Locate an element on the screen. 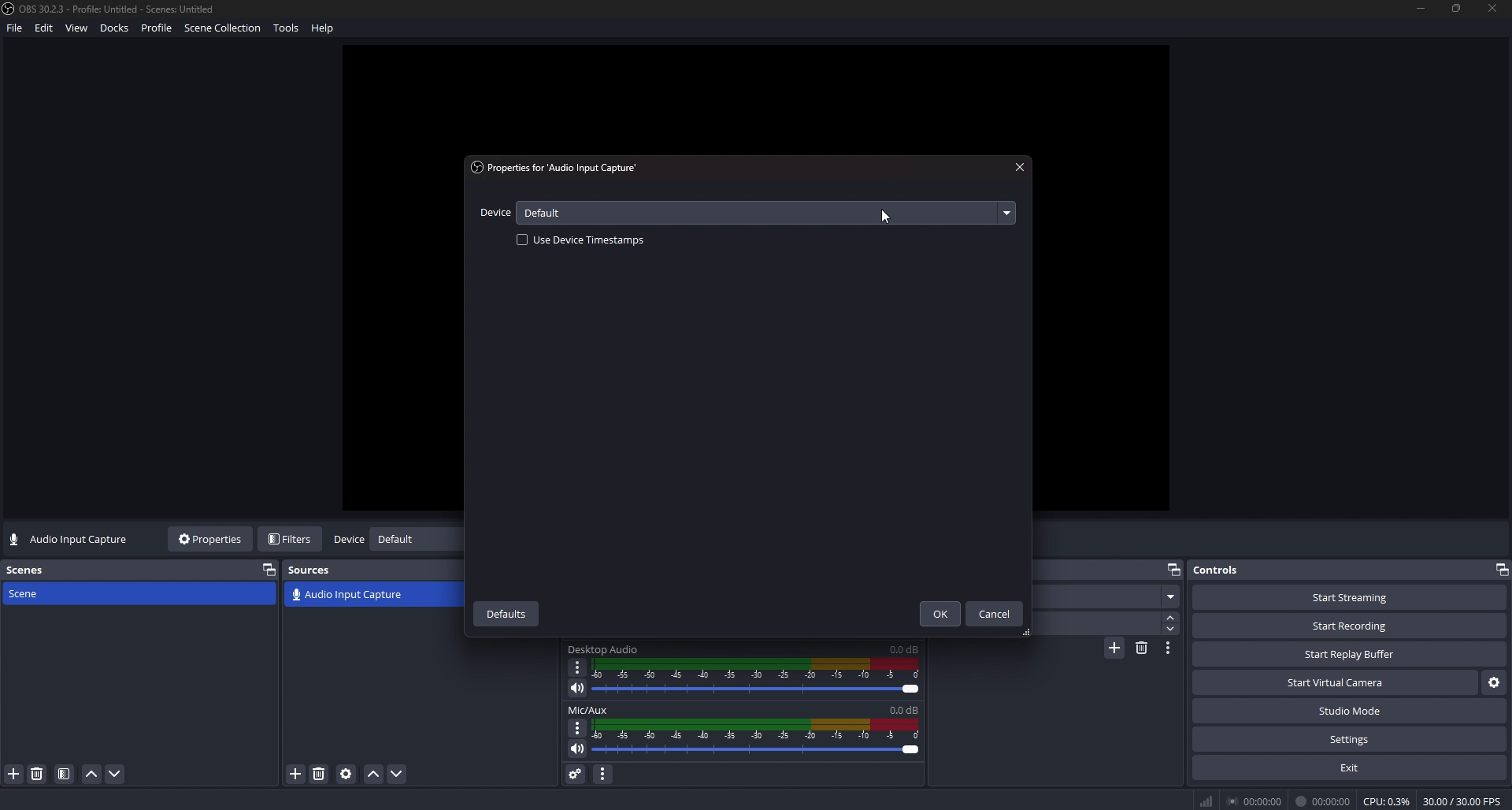  filter is located at coordinates (65, 775).